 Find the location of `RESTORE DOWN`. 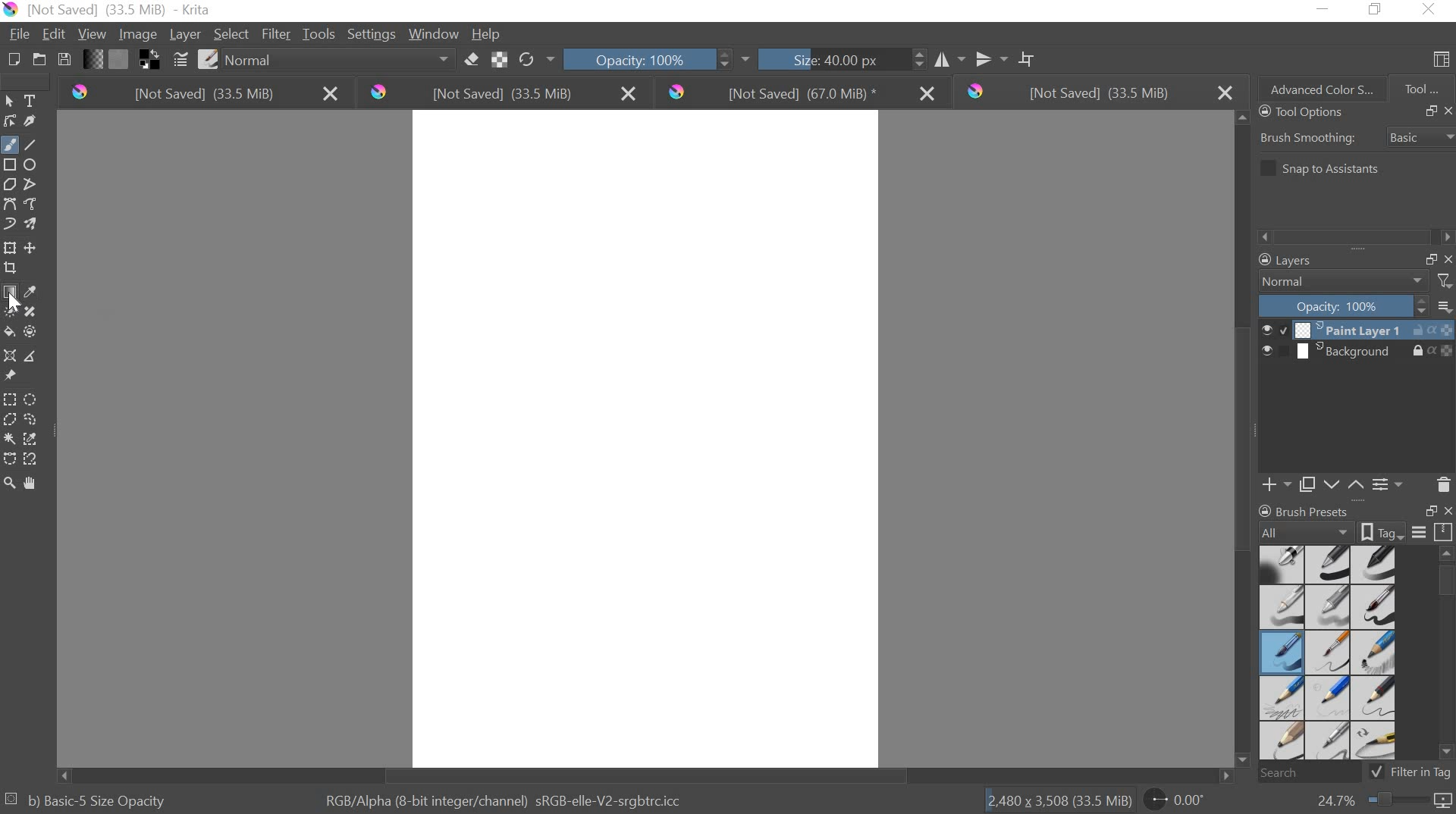

RESTORE DOWN is located at coordinates (1432, 512).